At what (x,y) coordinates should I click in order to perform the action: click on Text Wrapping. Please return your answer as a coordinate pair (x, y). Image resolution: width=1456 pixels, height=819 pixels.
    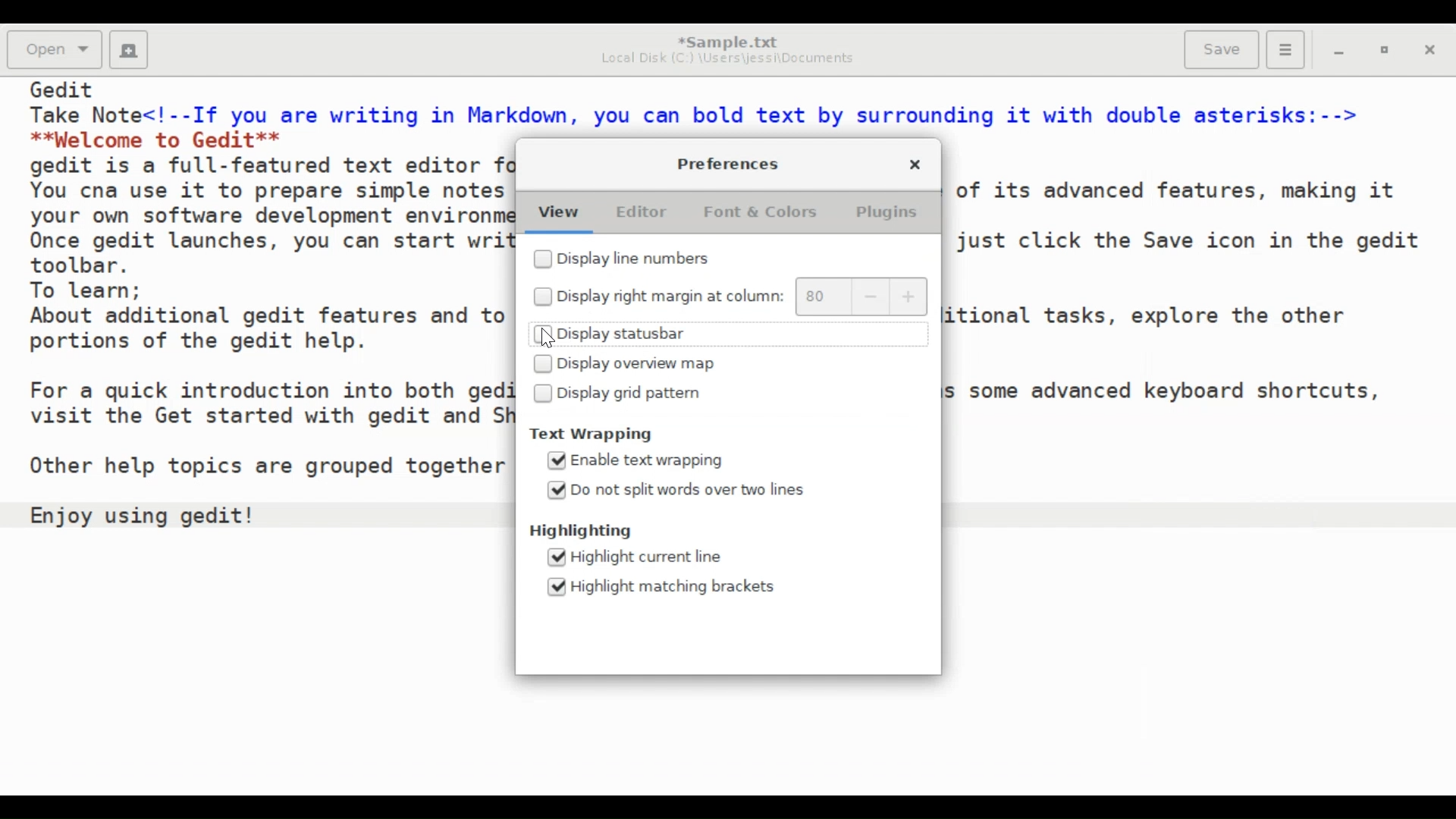
    Looking at the image, I should click on (594, 435).